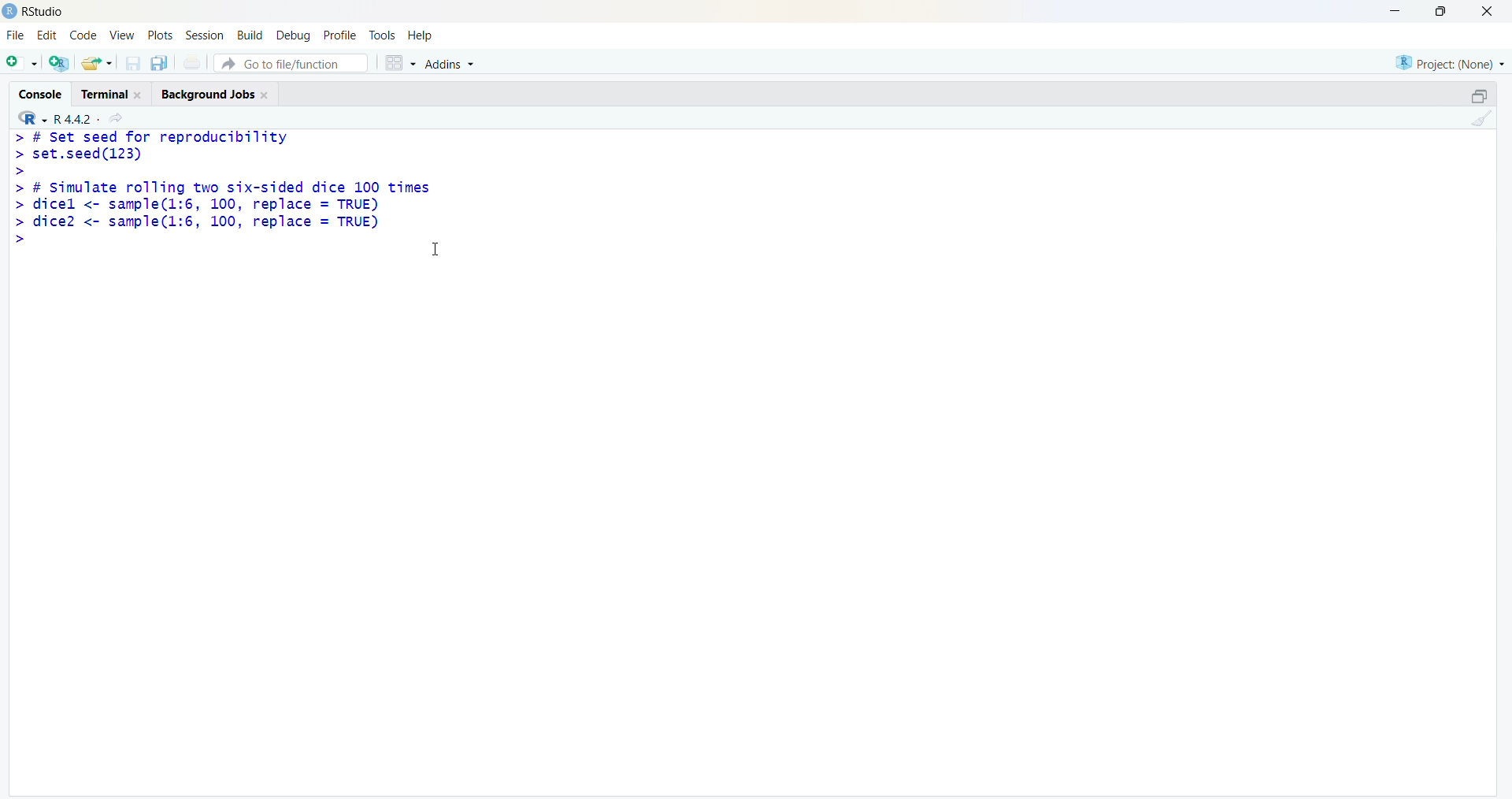 Image resolution: width=1512 pixels, height=799 pixels. What do you see at coordinates (139, 95) in the screenshot?
I see `close` at bounding box center [139, 95].